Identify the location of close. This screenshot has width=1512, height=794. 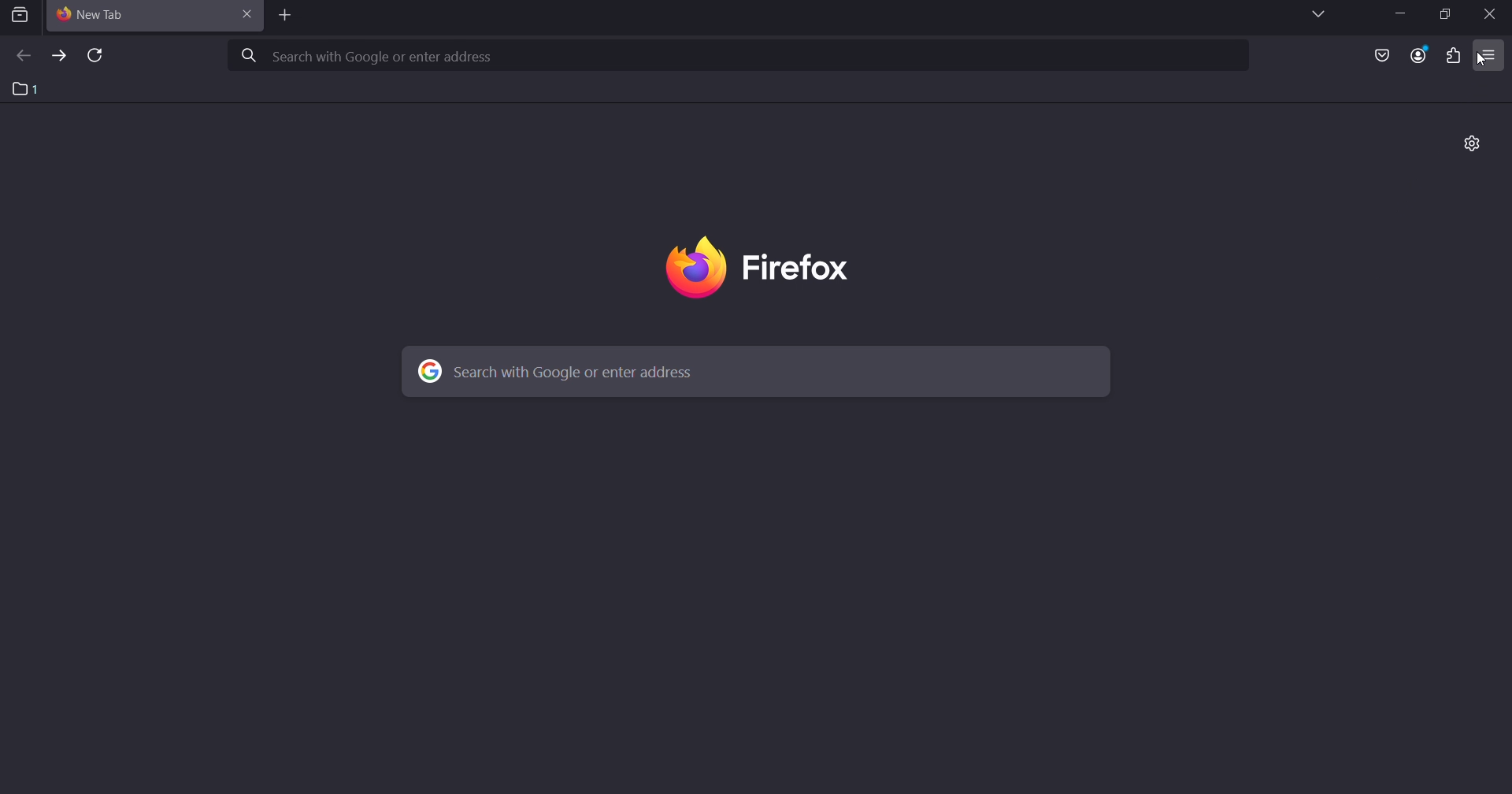
(1492, 13).